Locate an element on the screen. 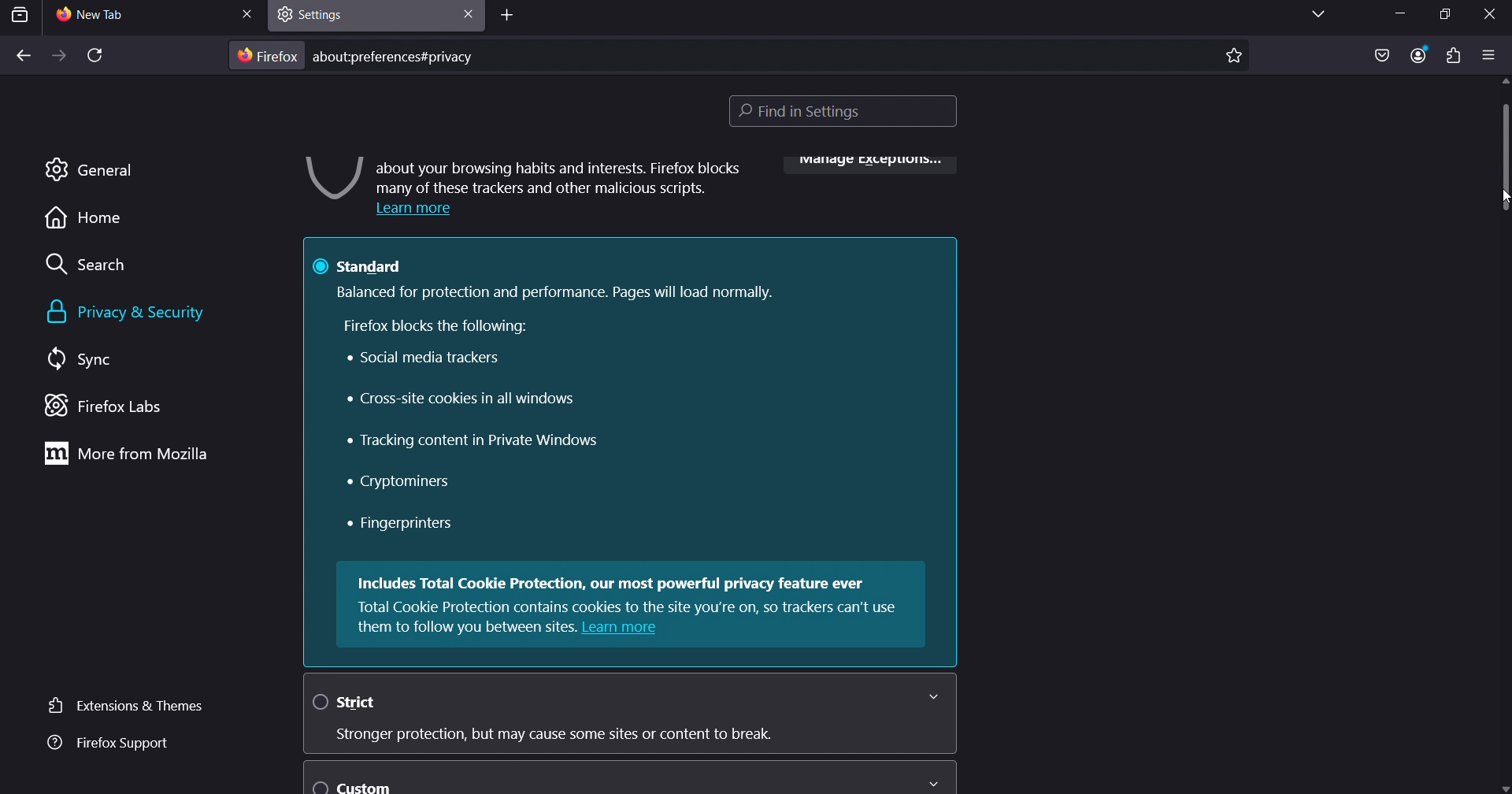 The height and width of the screenshot is (794, 1512). manage exceptions is located at coordinates (868, 169).